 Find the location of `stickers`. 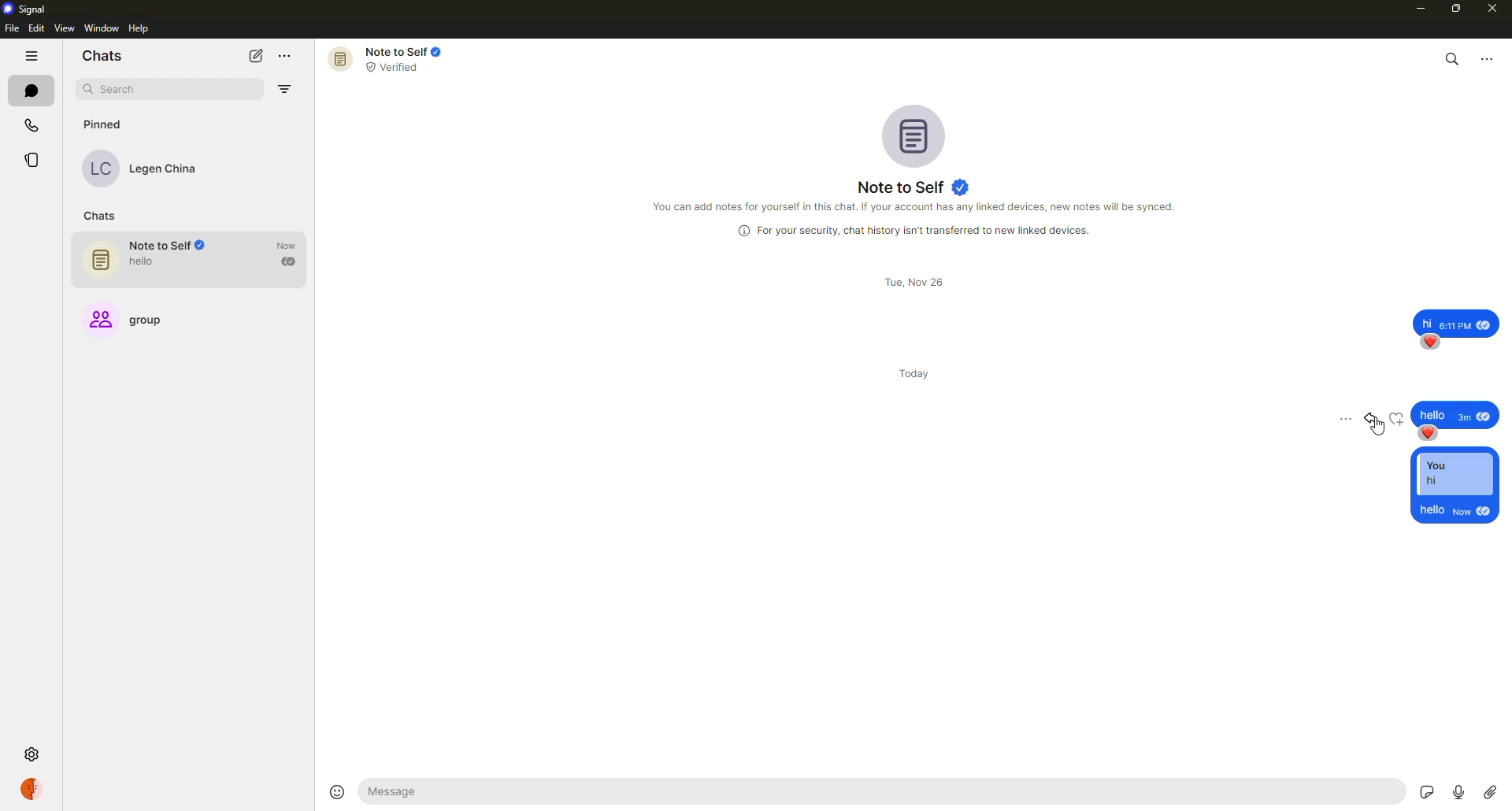

stickers is located at coordinates (1416, 789).